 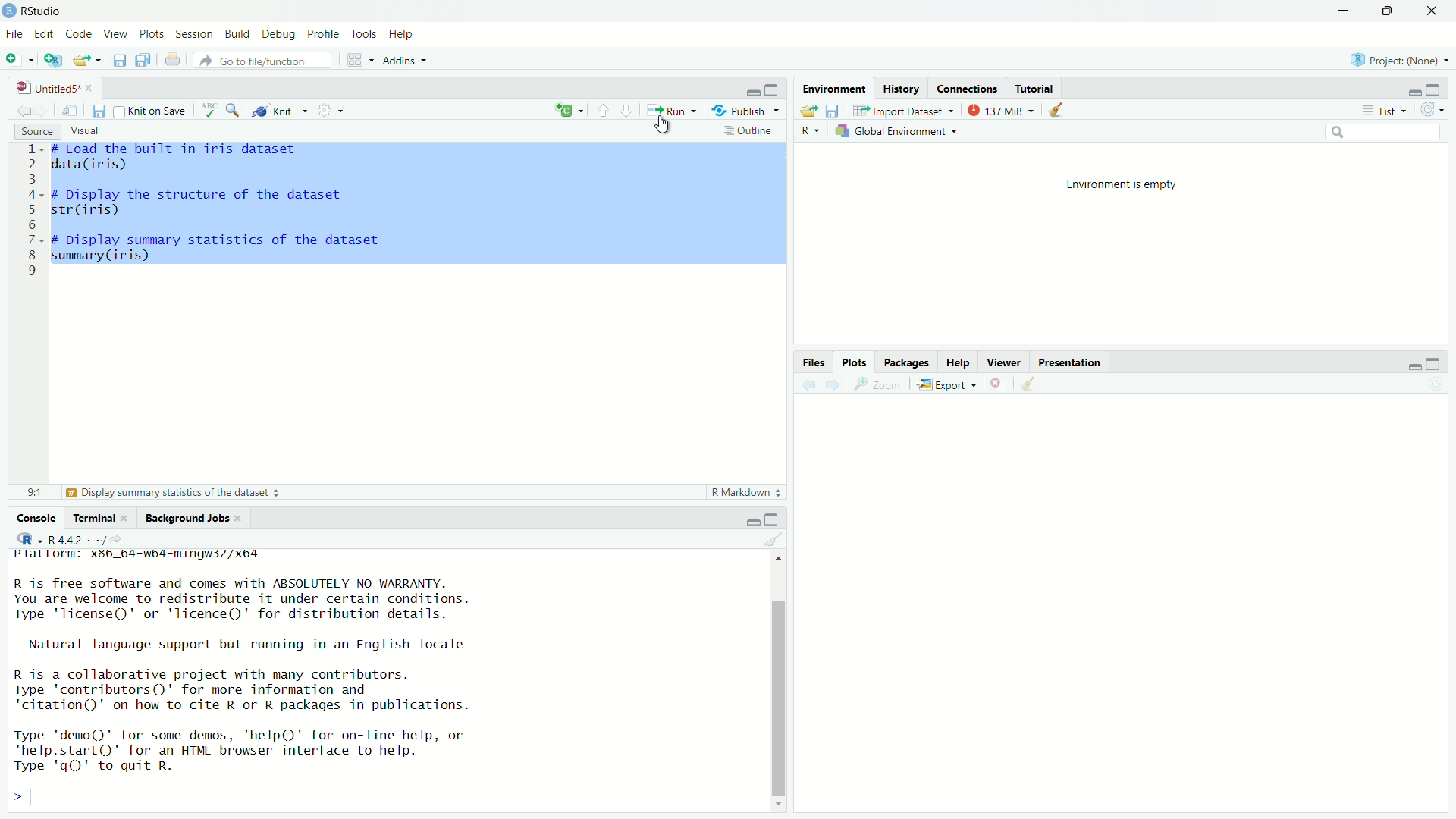 What do you see at coordinates (1411, 90) in the screenshot?
I see `Hide` at bounding box center [1411, 90].